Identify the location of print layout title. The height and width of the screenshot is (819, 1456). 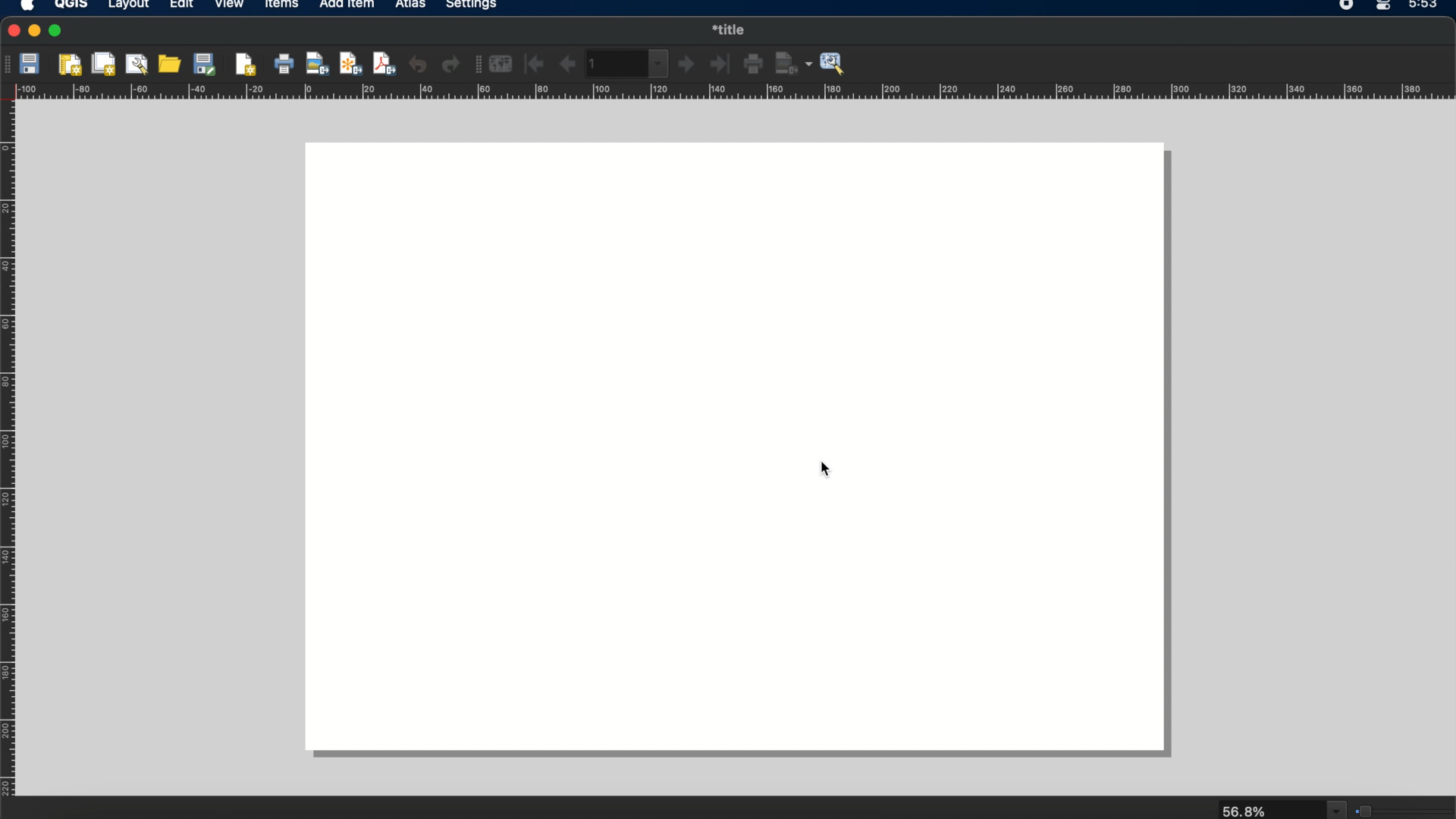
(731, 29).